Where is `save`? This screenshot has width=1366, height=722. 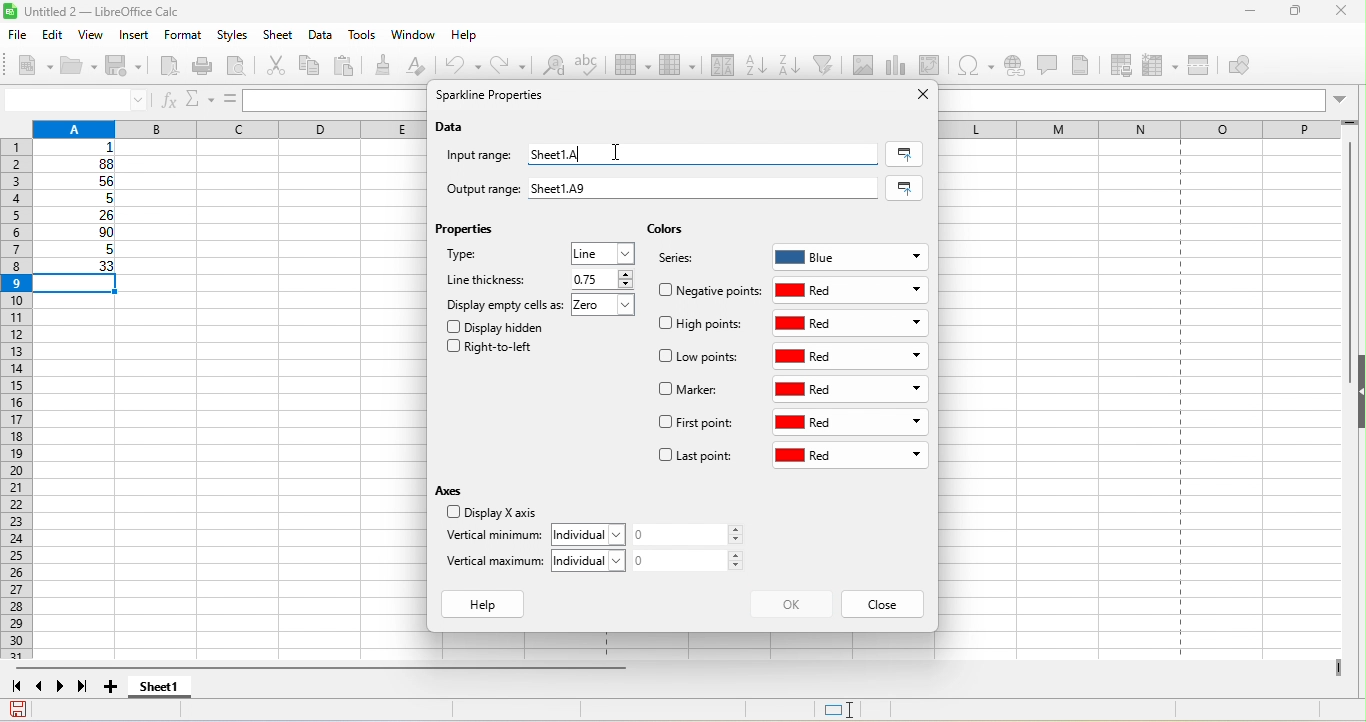
save is located at coordinates (128, 68).